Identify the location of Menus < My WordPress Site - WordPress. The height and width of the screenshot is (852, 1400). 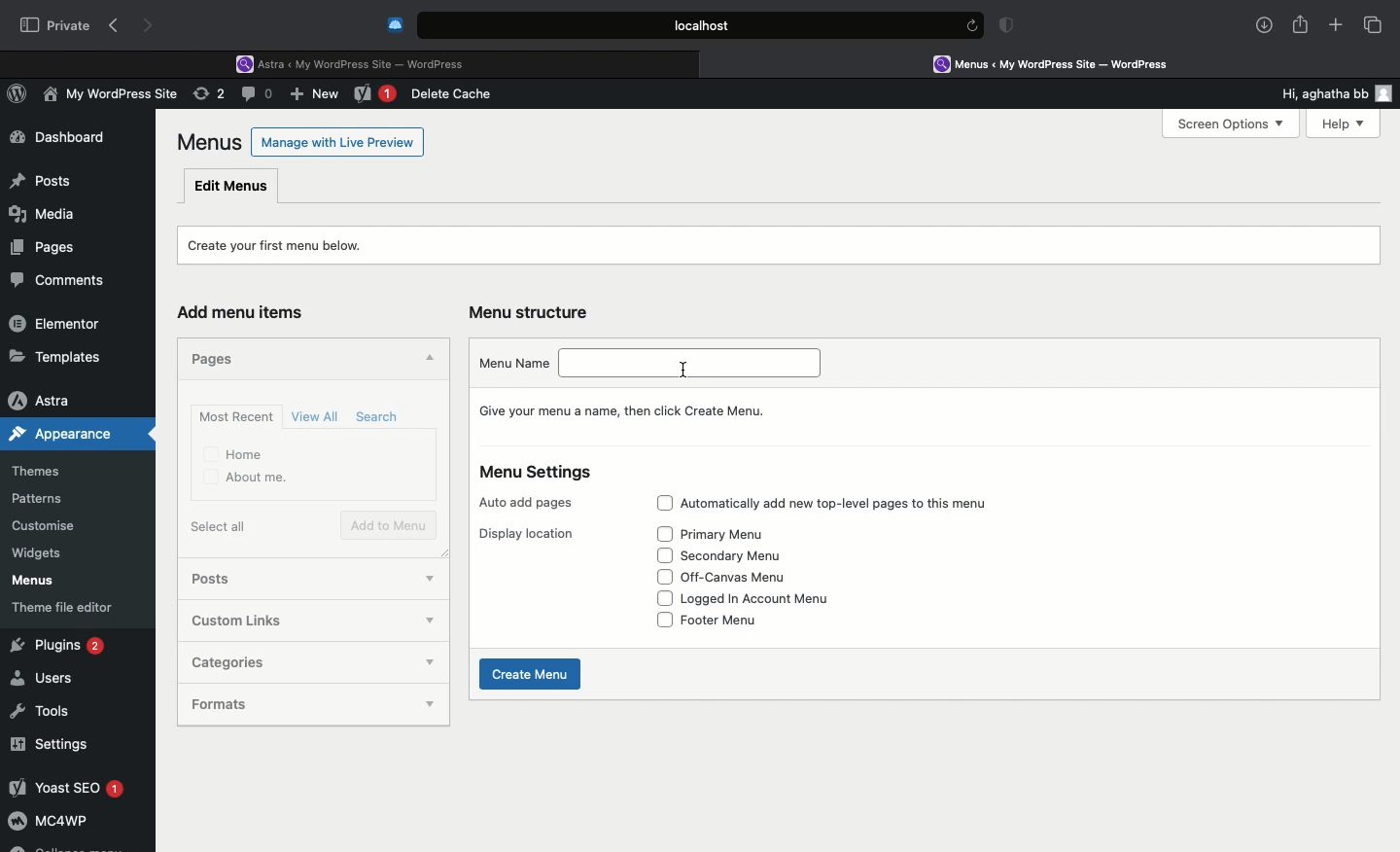
(1066, 63).